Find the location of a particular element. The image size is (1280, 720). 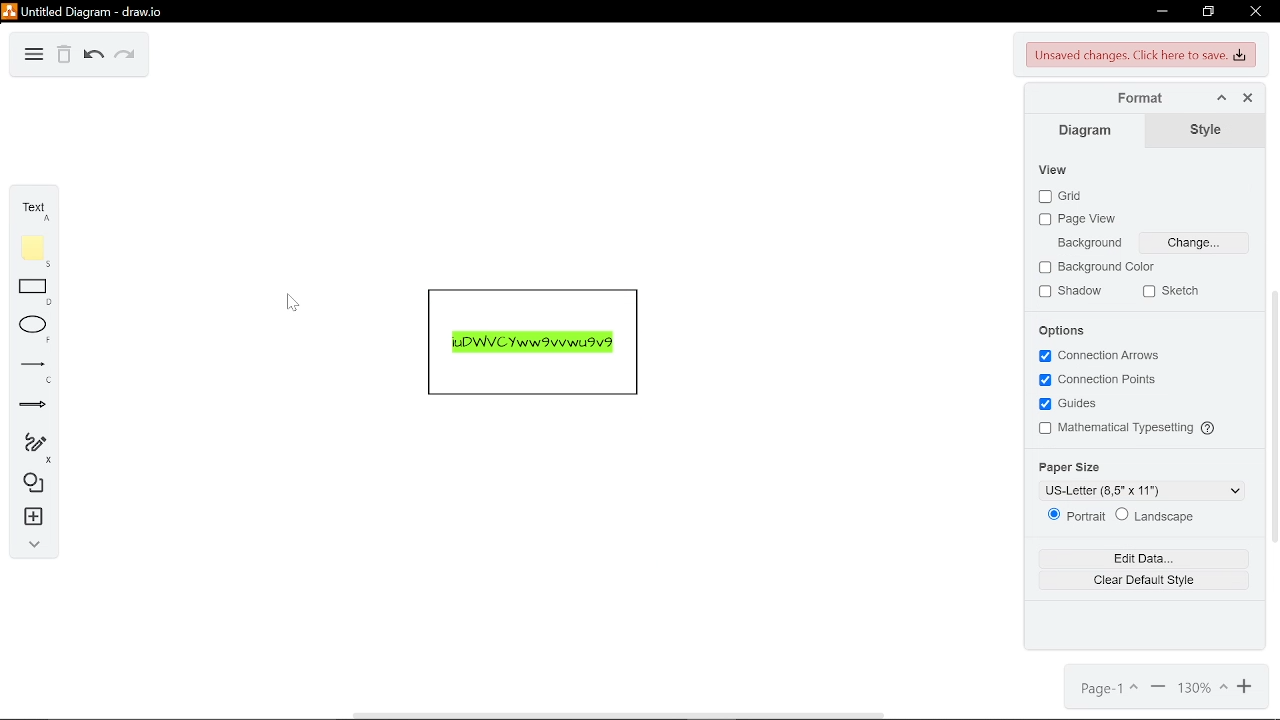

zoom out is located at coordinates (1156, 690).